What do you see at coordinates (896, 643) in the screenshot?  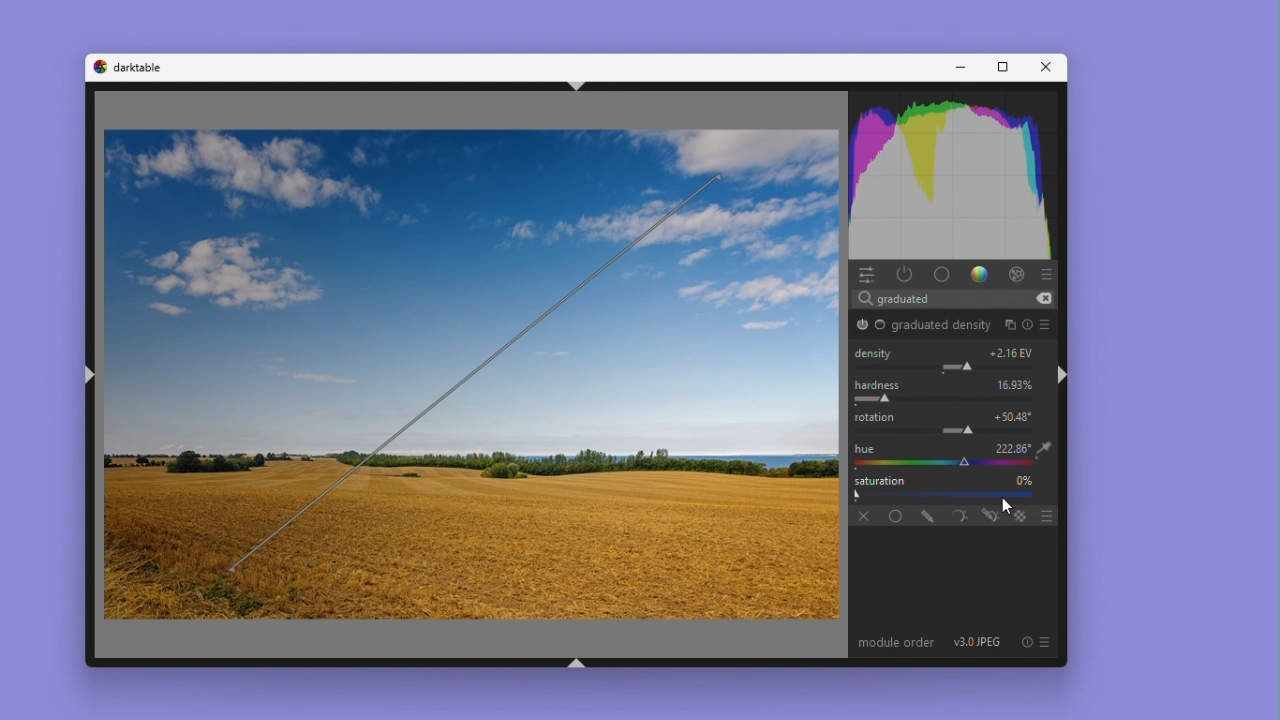 I see `module order` at bounding box center [896, 643].